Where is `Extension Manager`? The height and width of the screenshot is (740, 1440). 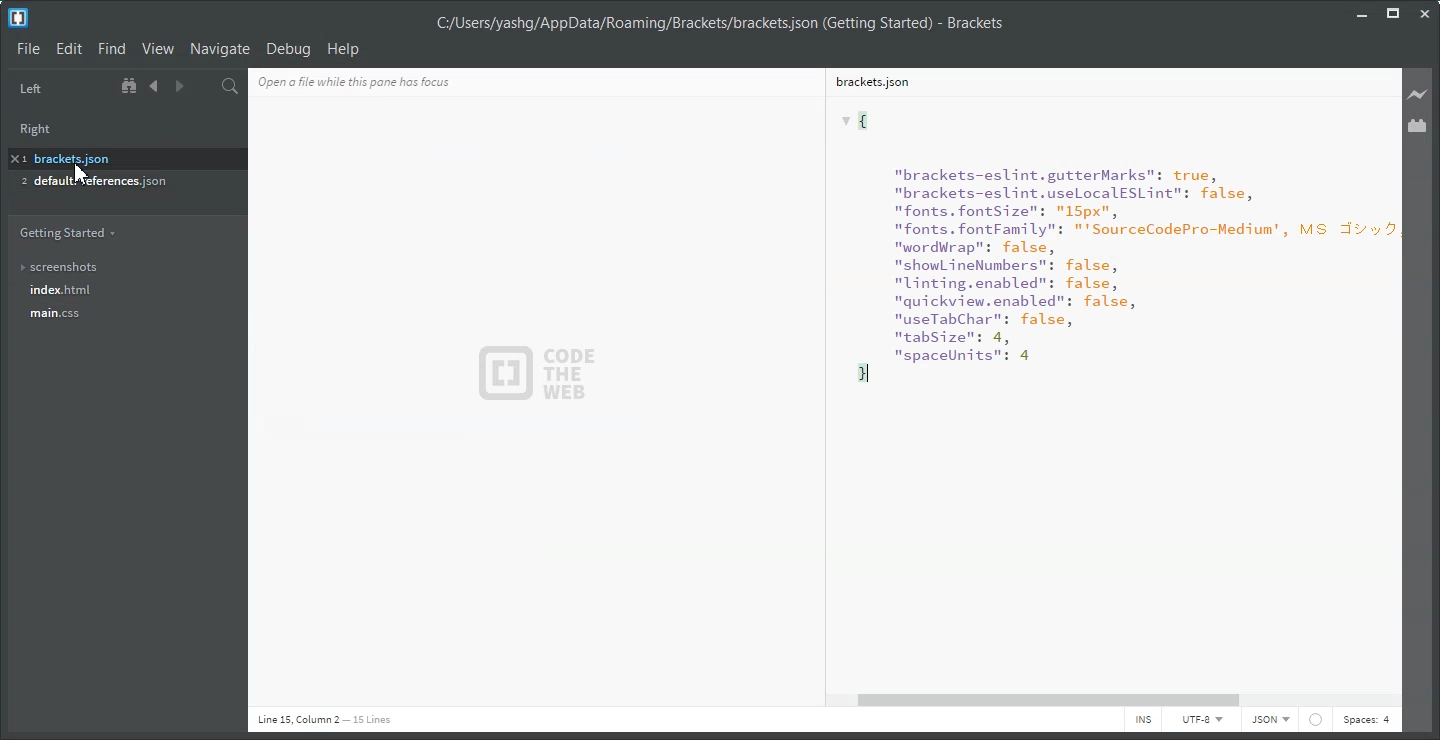 Extension Manager is located at coordinates (1419, 126).